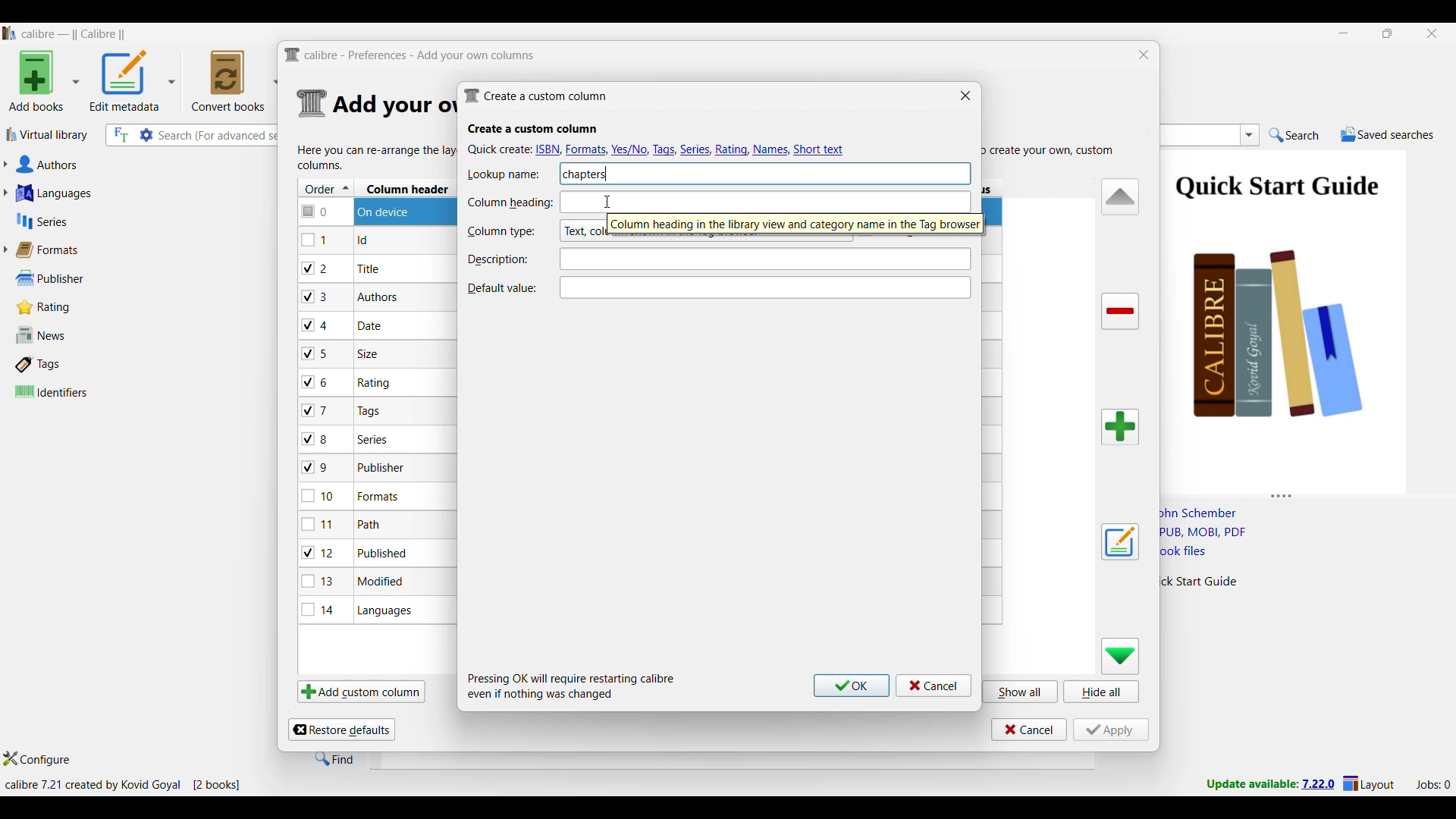 The height and width of the screenshot is (819, 1456). Describe the element at coordinates (498, 259) in the screenshot. I see `Indicates description text box` at that location.